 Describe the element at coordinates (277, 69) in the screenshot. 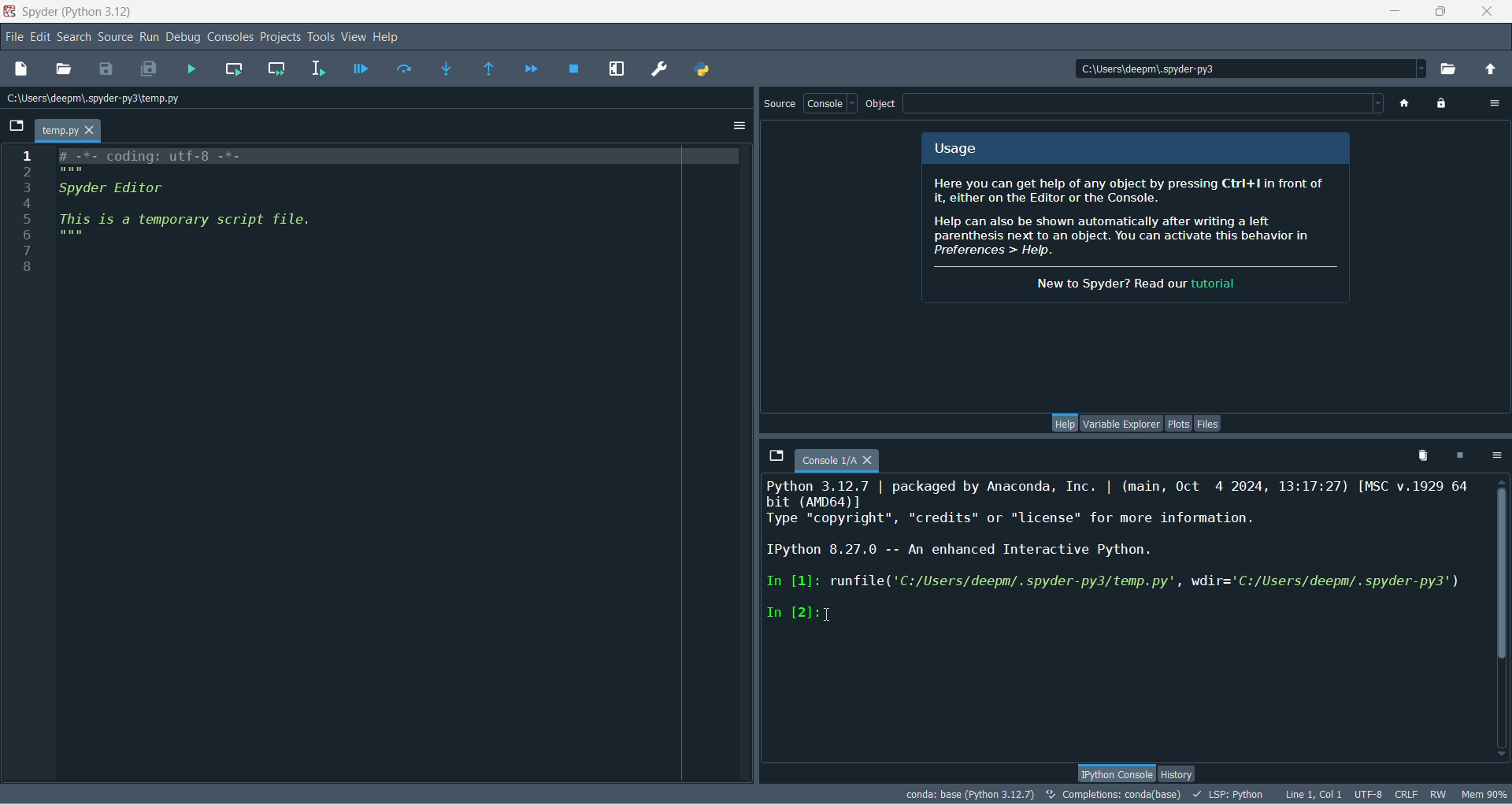

I see `run current cell and go to next one` at that location.